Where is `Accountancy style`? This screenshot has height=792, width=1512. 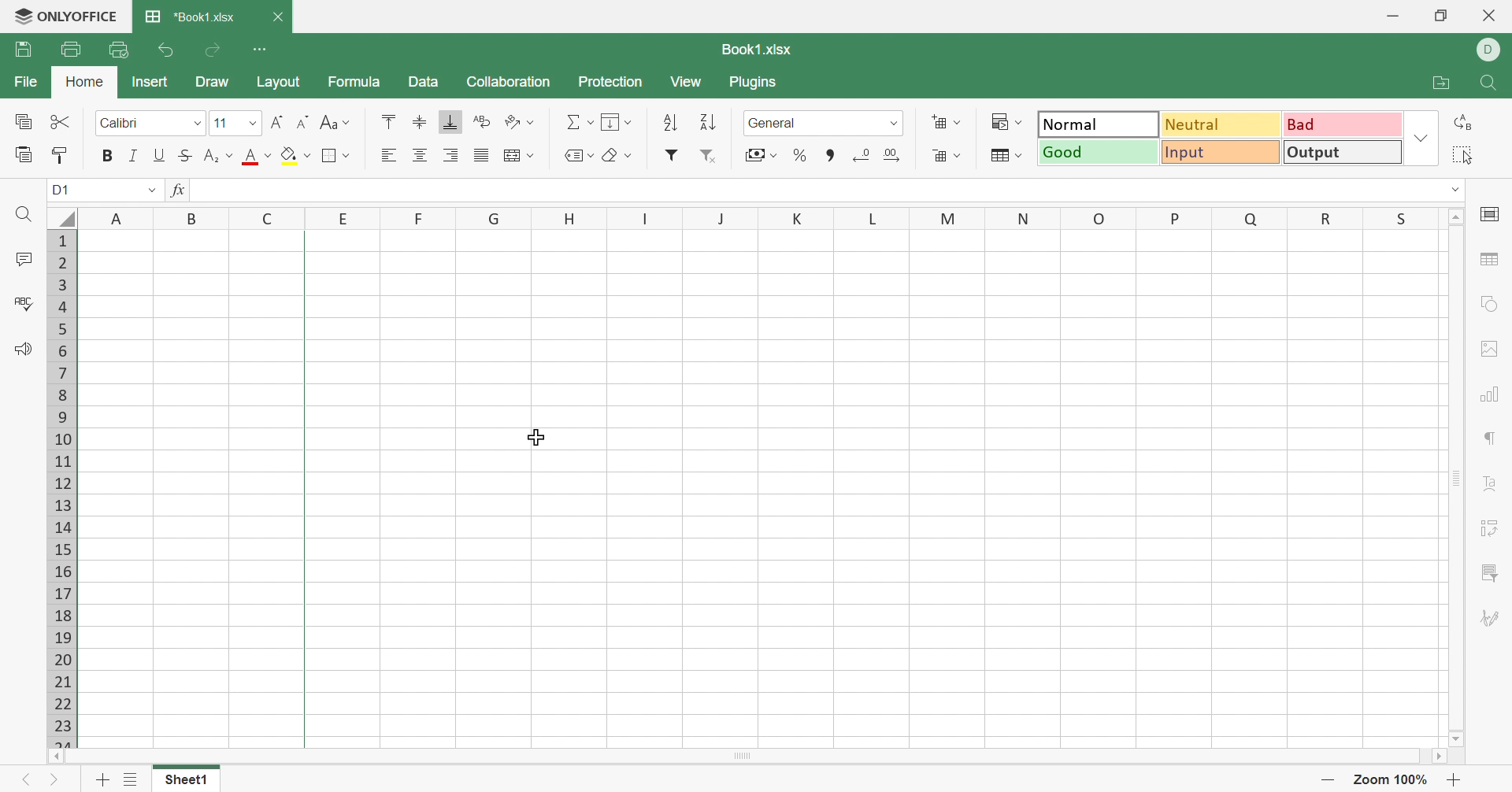
Accountancy style is located at coordinates (752, 154).